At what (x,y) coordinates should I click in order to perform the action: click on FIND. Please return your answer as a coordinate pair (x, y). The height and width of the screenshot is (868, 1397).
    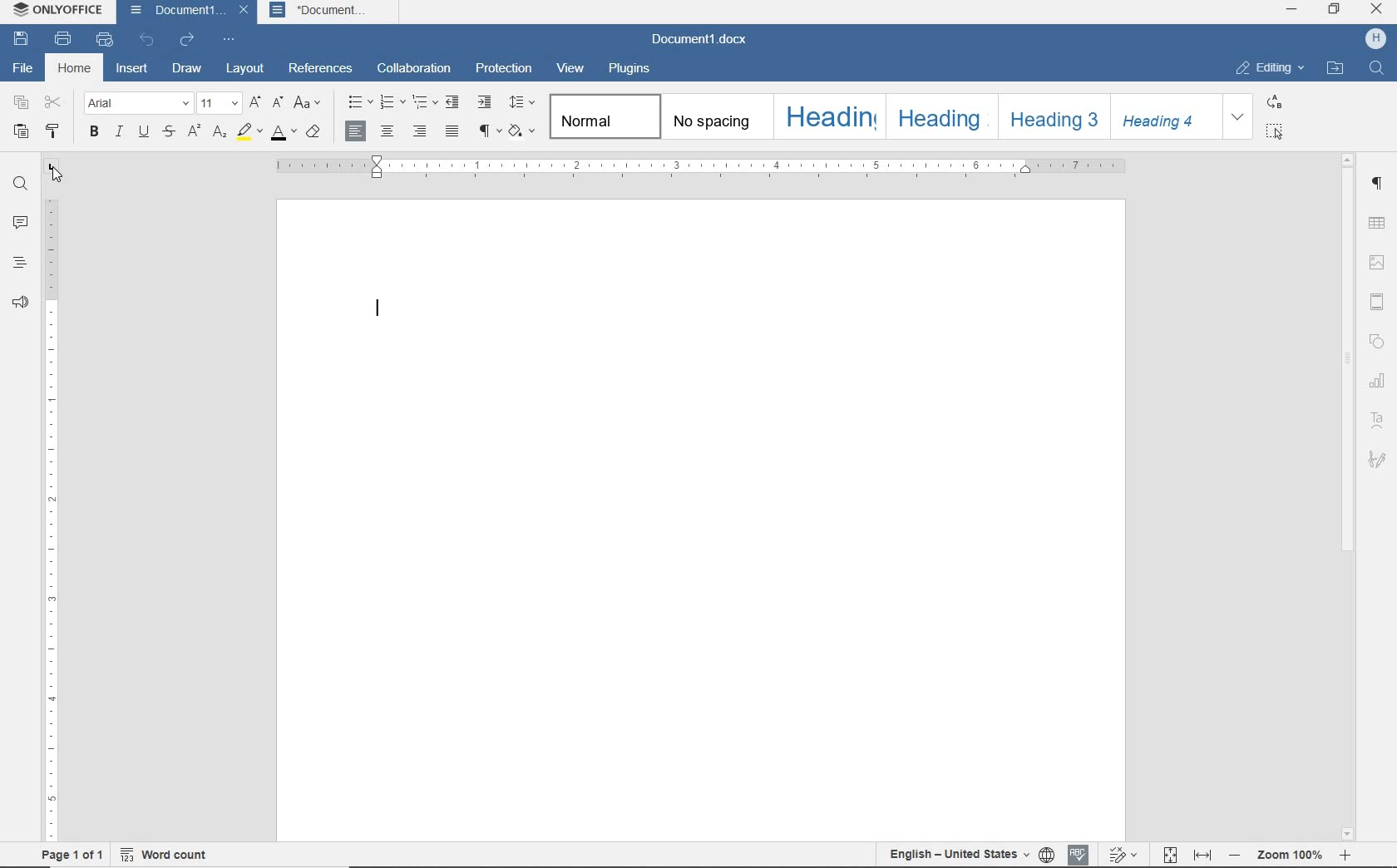
    Looking at the image, I should click on (1379, 69).